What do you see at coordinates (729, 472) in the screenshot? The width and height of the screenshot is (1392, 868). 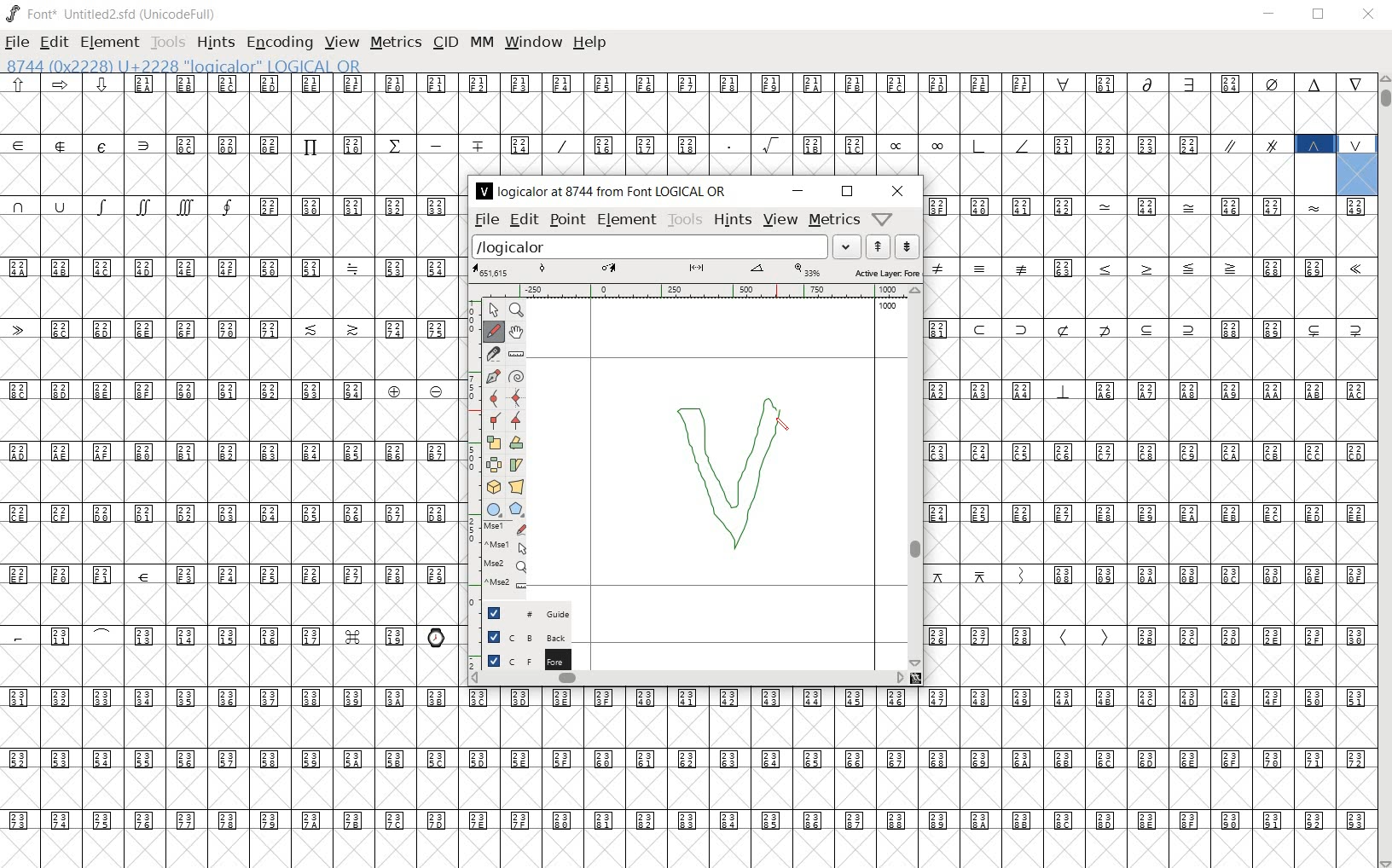 I see `designing logical OR glyph` at bounding box center [729, 472].